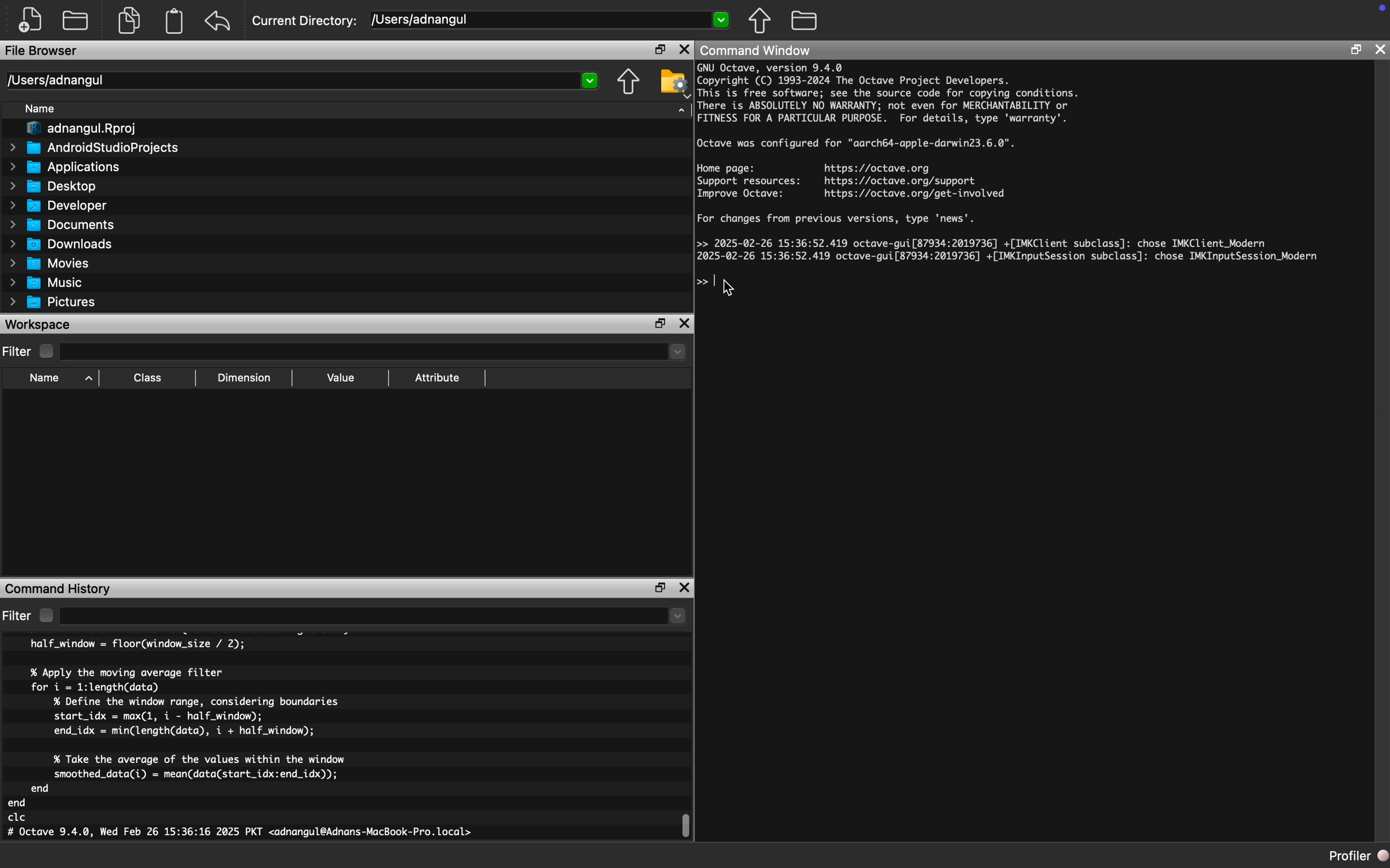  What do you see at coordinates (684, 50) in the screenshot?
I see `Close` at bounding box center [684, 50].